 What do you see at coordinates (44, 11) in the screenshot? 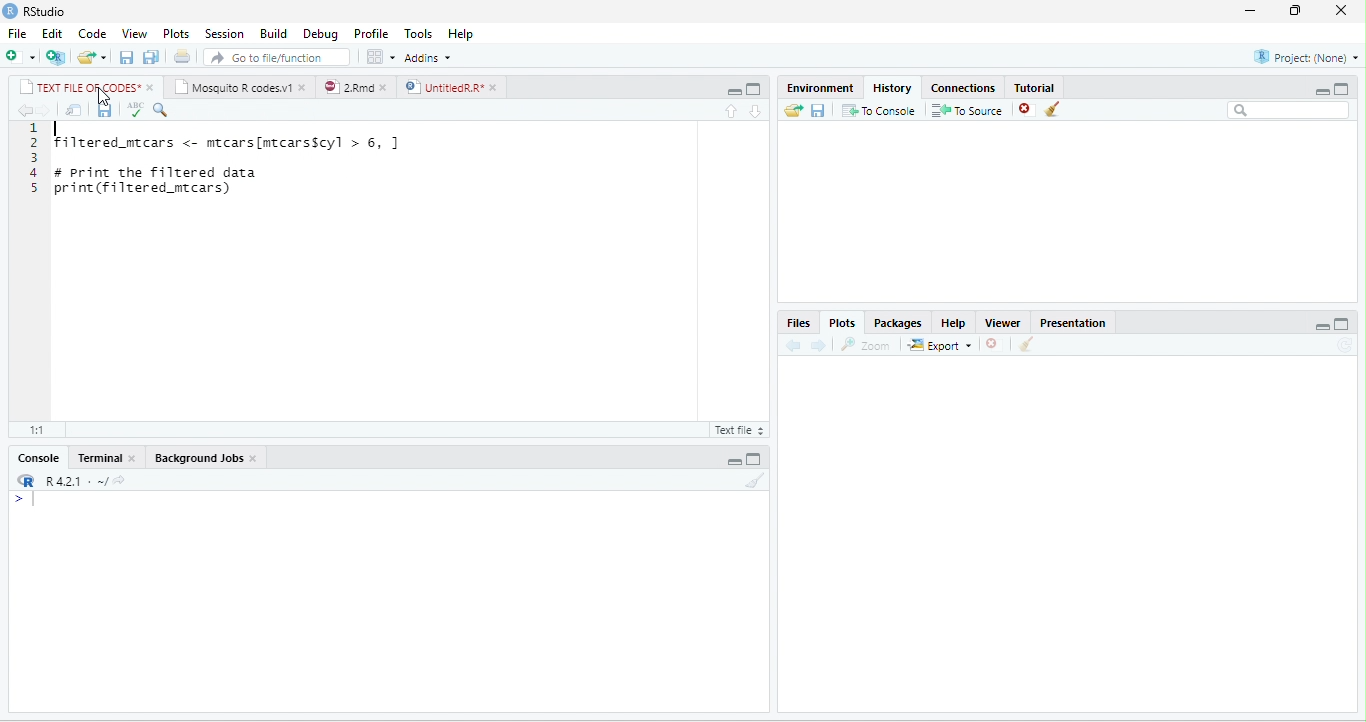
I see `RStudio` at bounding box center [44, 11].